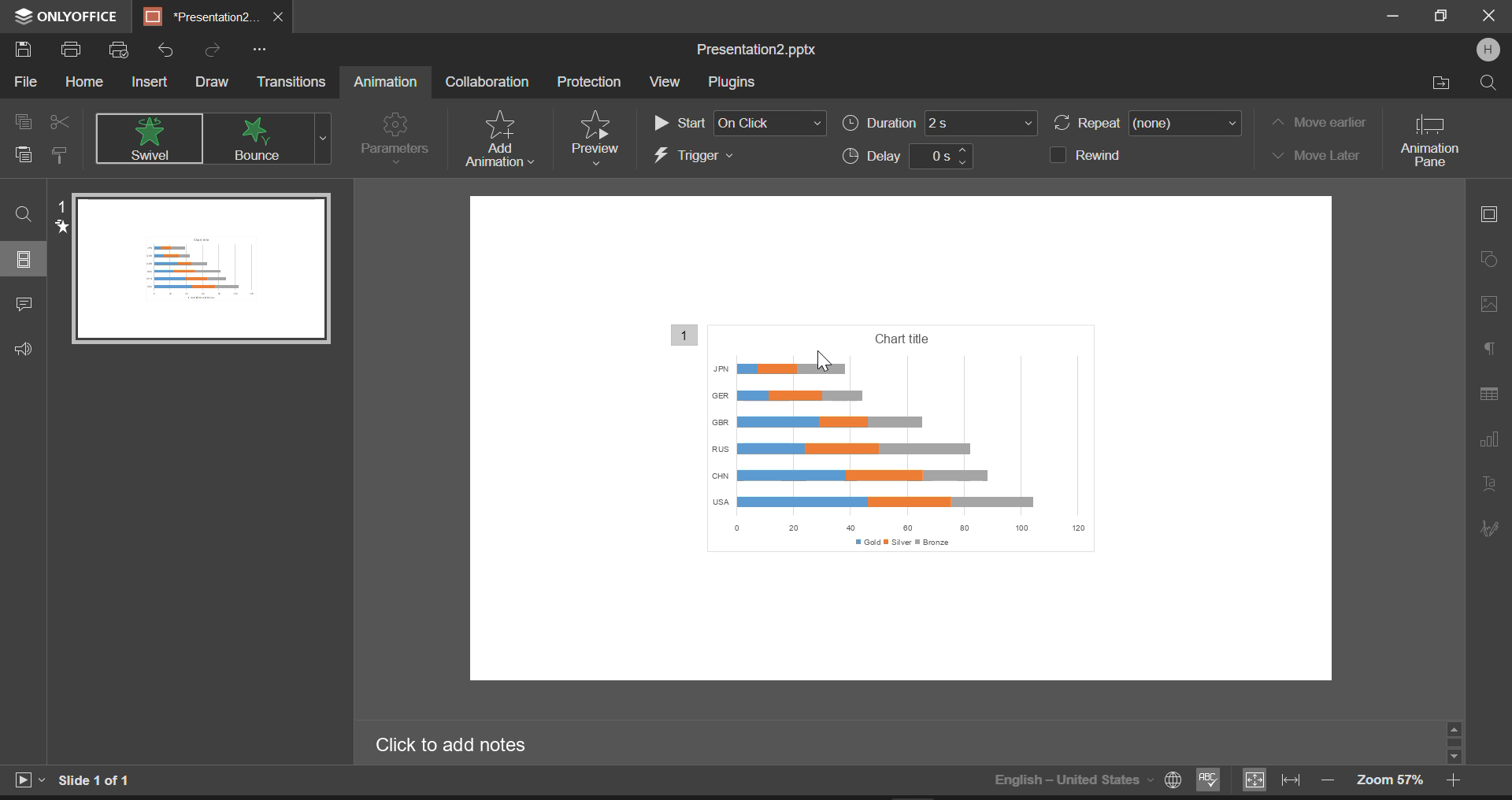  Describe the element at coordinates (261, 139) in the screenshot. I see `Appear` at that location.